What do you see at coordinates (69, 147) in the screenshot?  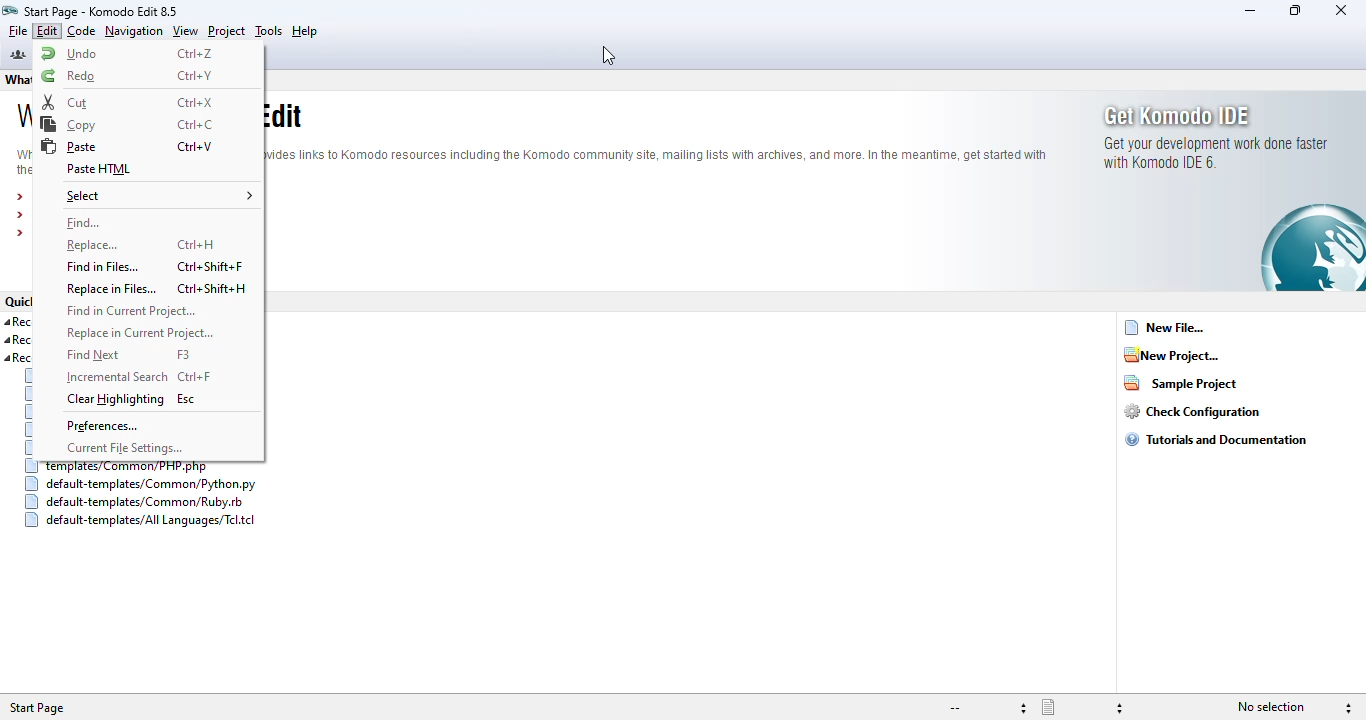 I see `paste` at bounding box center [69, 147].